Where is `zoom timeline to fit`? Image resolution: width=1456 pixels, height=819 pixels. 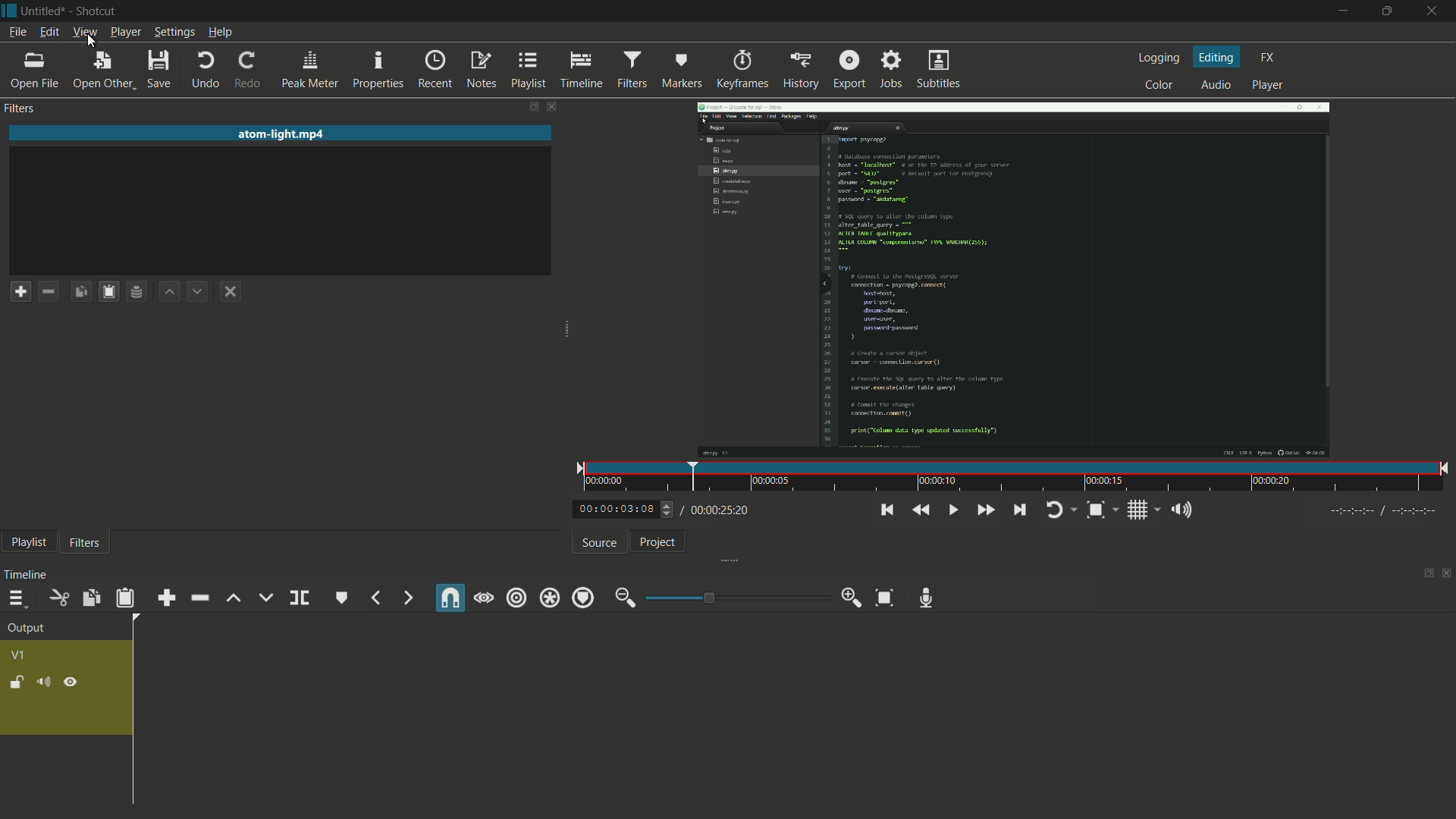 zoom timeline to fit is located at coordinates (886, 598).